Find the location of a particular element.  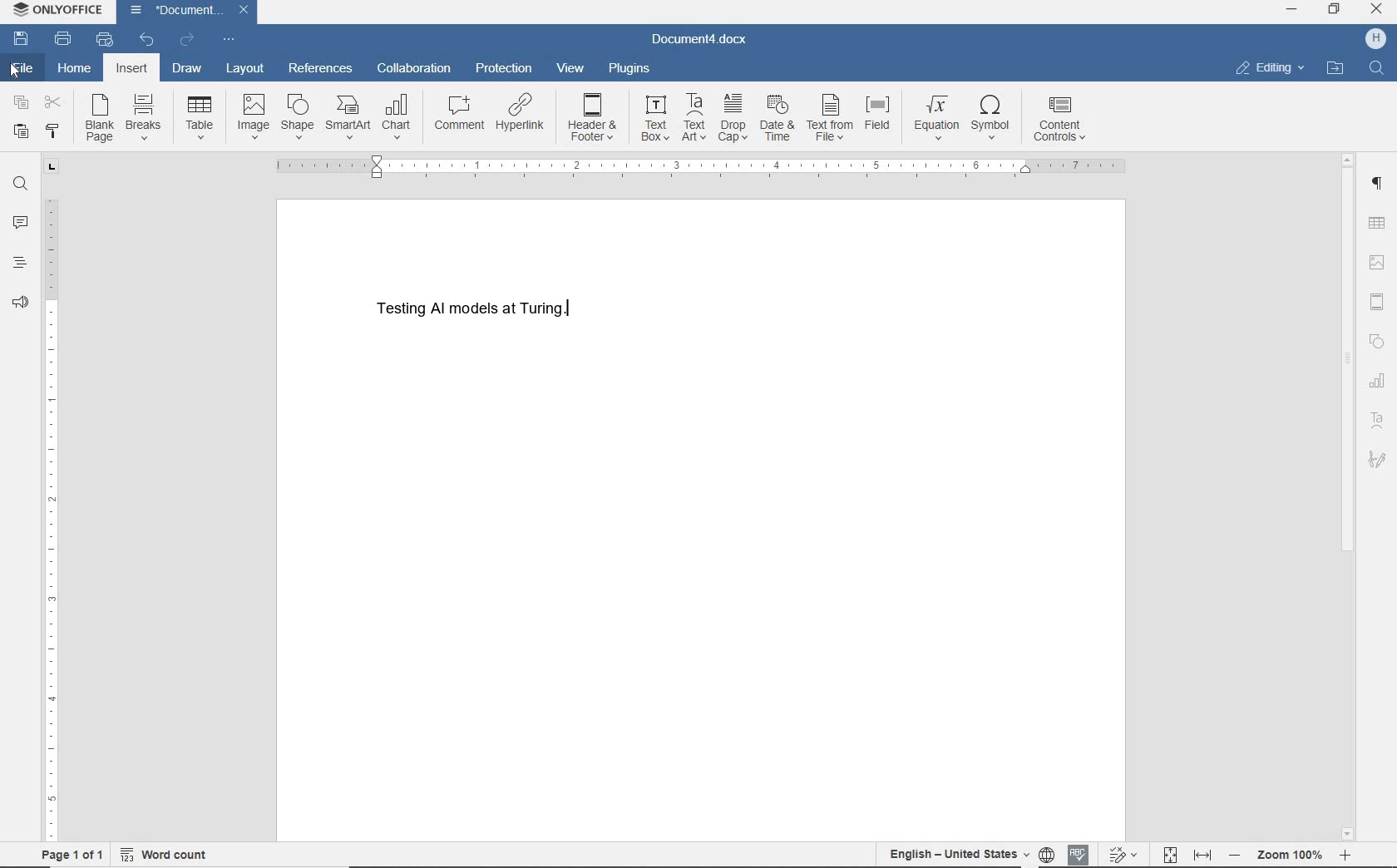

layout is located at coordinates (244, 68).